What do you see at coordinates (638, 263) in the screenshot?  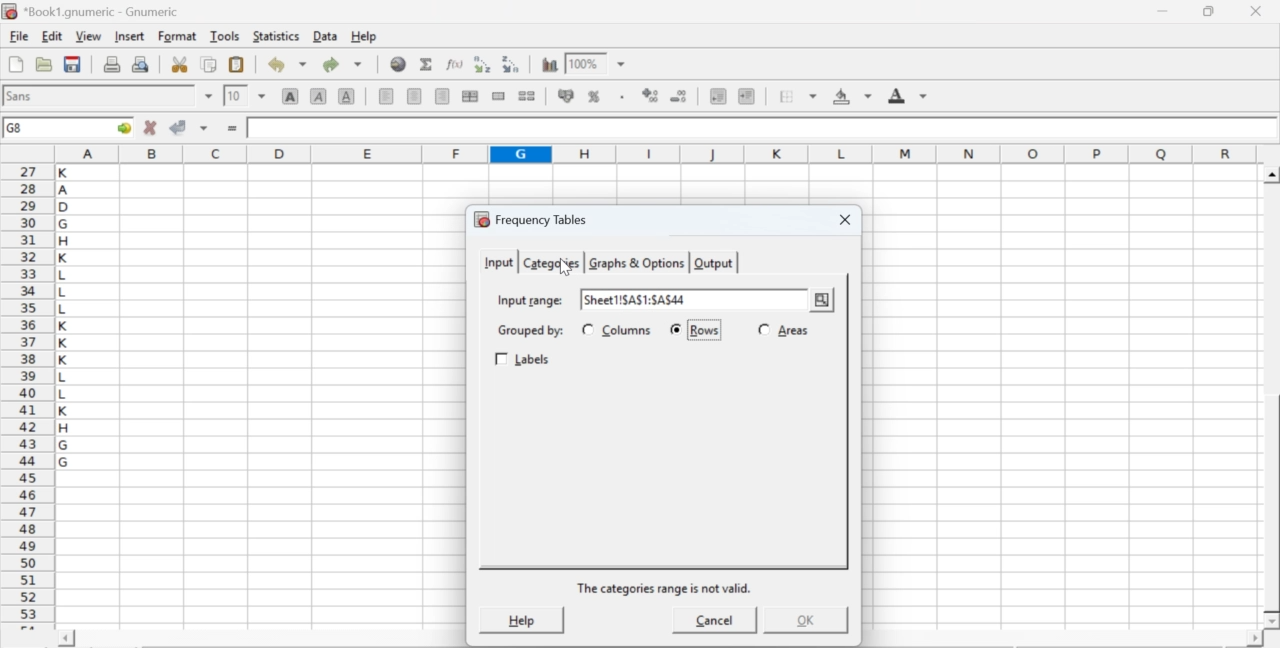 I see `graphs & options` at bounding box center [638, 263].